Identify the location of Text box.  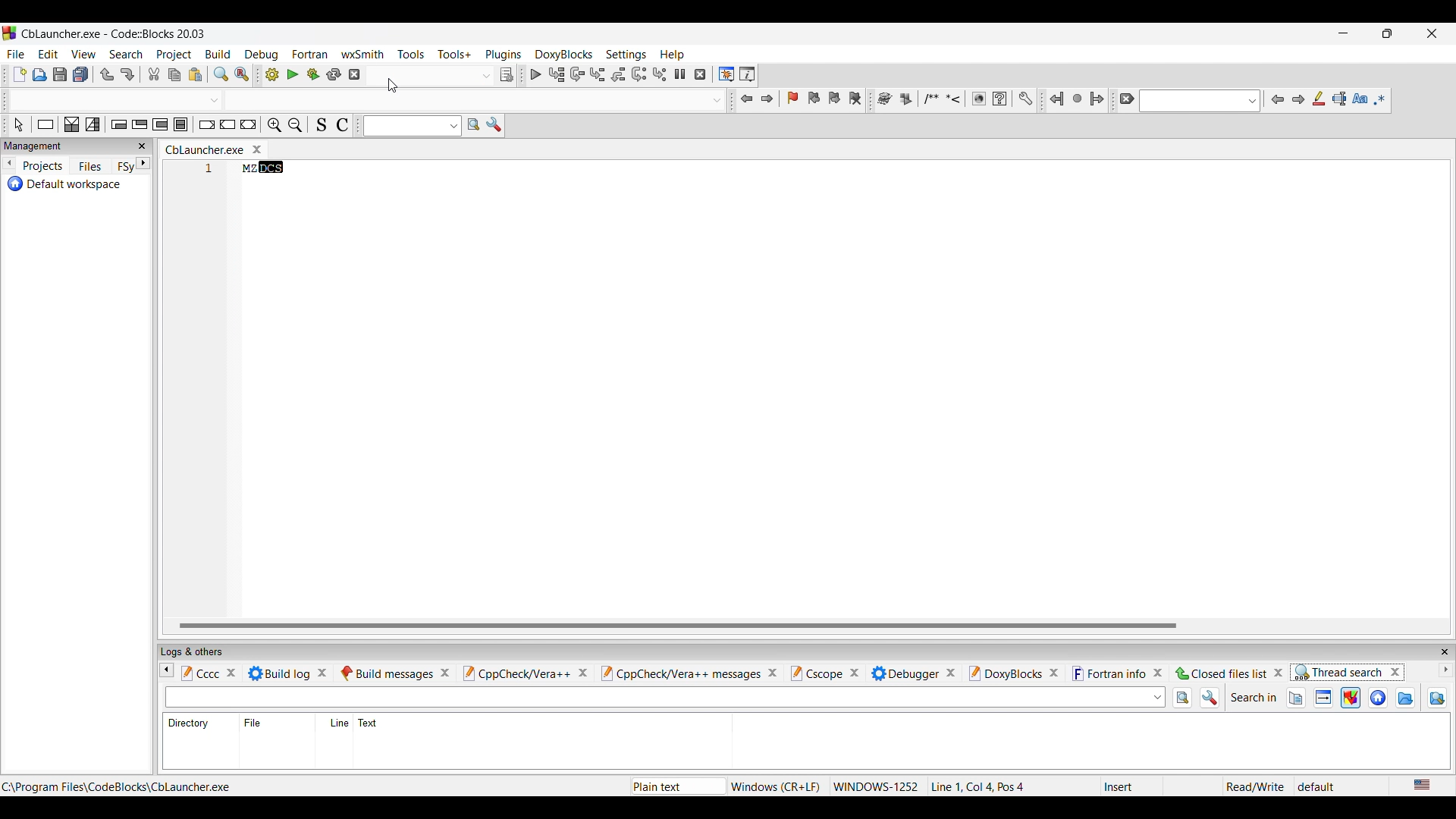
(656, 697).